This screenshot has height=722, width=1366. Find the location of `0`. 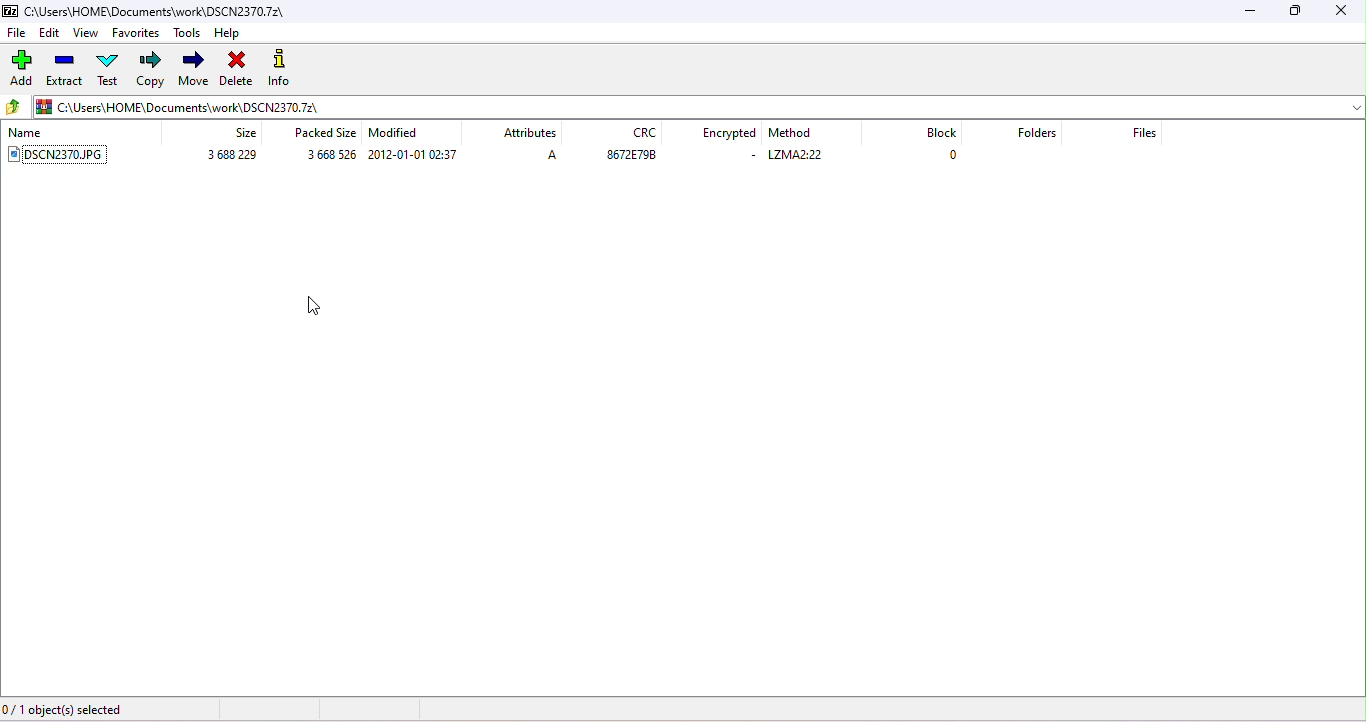

0 is located at coordinates (956, 155).